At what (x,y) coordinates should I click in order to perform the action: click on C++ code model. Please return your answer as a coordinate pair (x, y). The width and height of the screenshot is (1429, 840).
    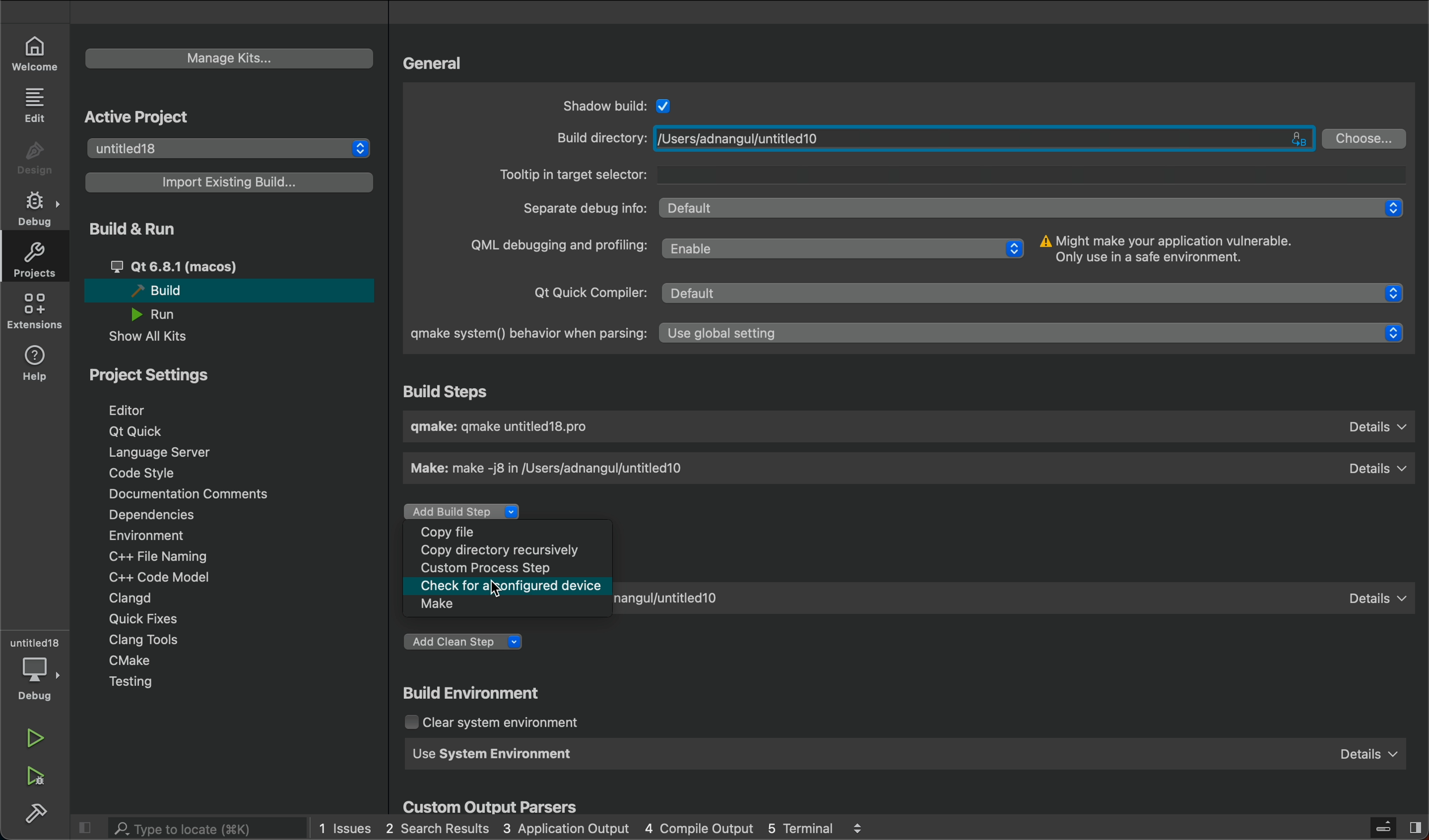
    Looking at the image, I should click on (162, 578).